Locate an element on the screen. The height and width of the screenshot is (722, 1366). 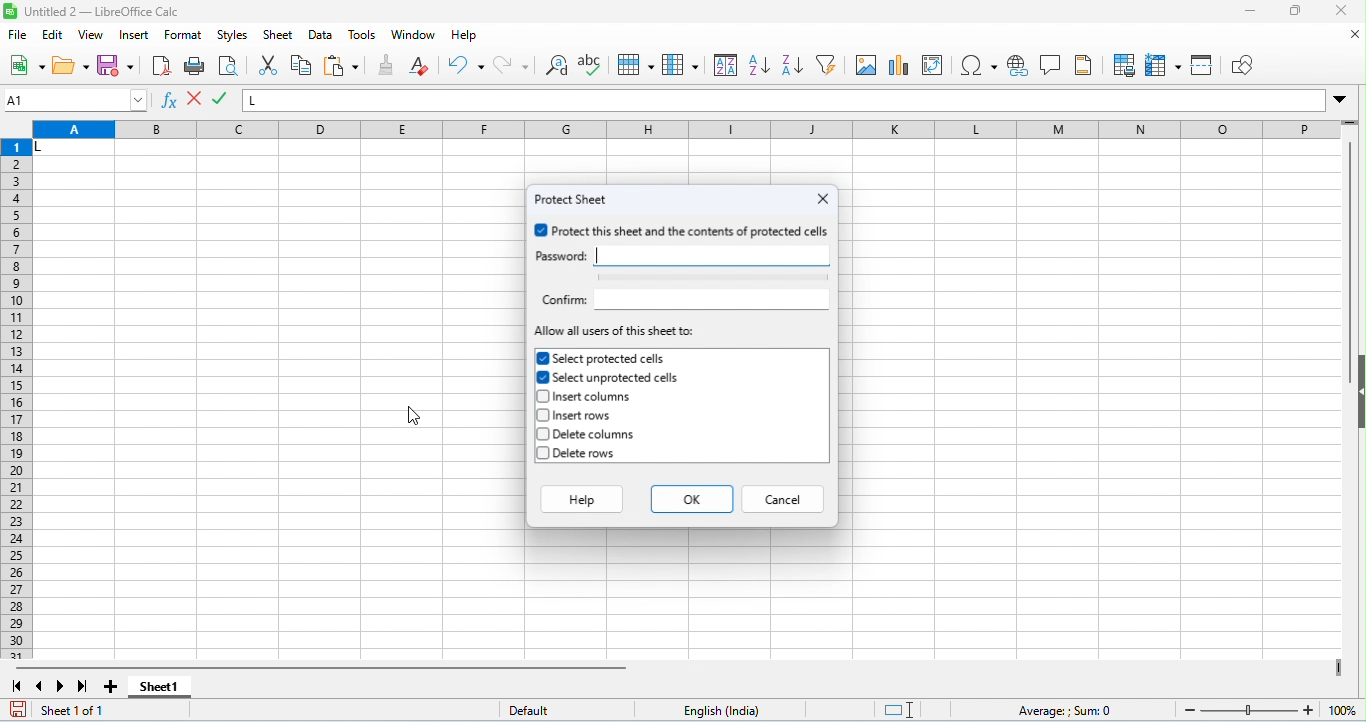
accept is located at coordinates (196, 100).